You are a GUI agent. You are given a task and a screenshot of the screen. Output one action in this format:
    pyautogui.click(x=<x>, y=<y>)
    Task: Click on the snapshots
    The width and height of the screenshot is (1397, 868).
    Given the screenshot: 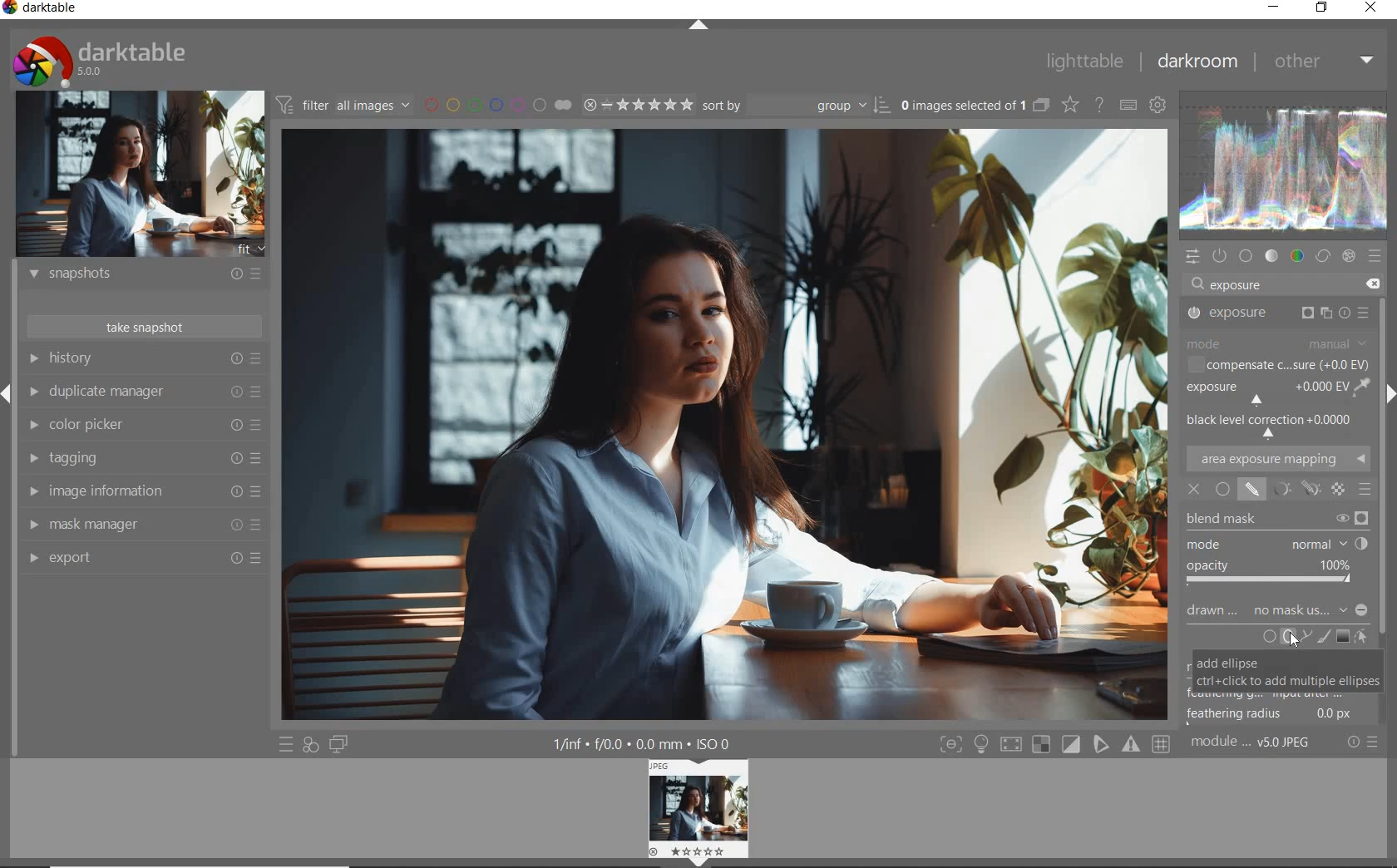 What is the action you would take?
    pyautogui.click(x=147, y=274)
    